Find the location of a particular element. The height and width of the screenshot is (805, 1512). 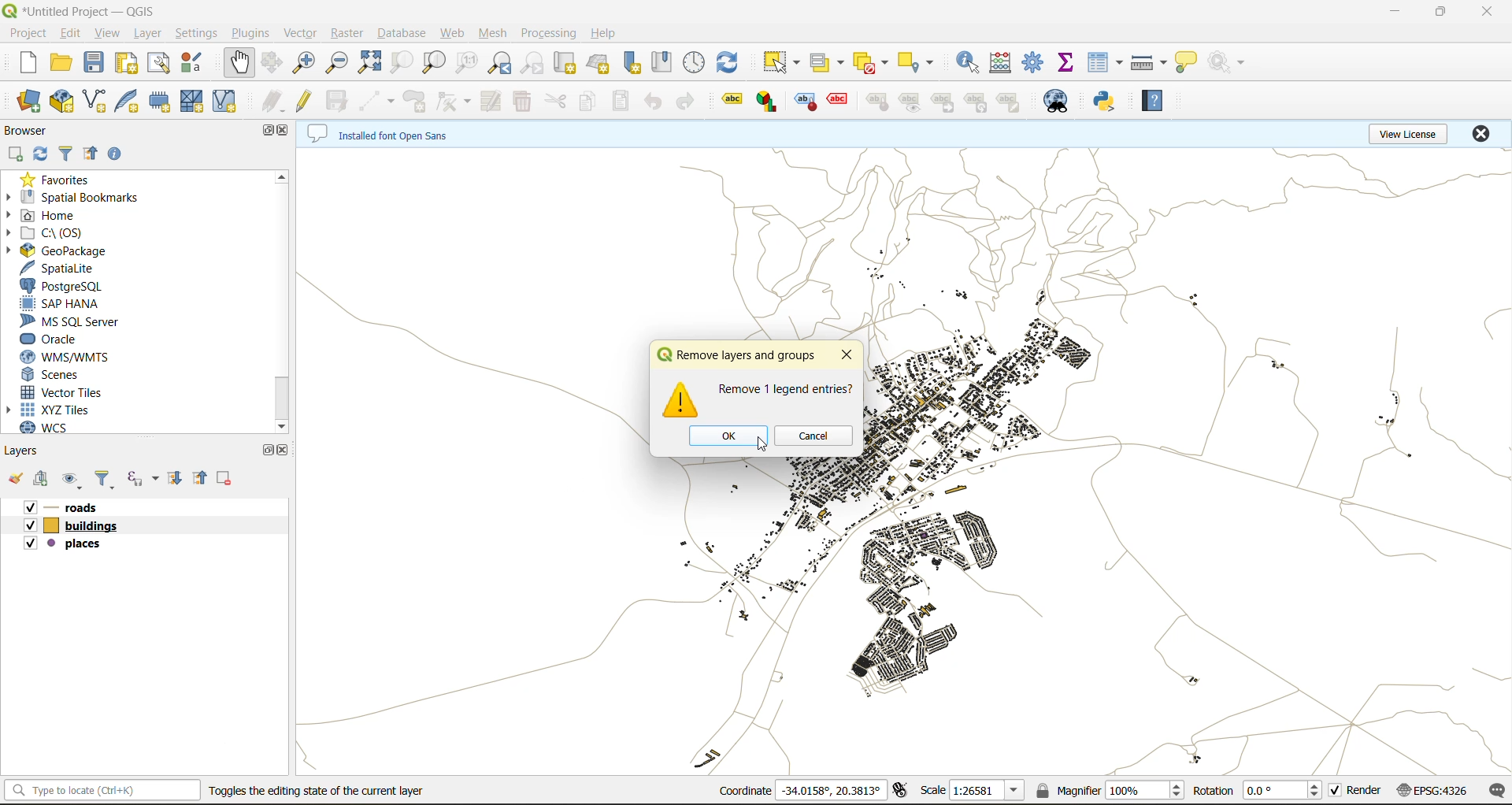

zoom native is located at coordinates (468, 62).